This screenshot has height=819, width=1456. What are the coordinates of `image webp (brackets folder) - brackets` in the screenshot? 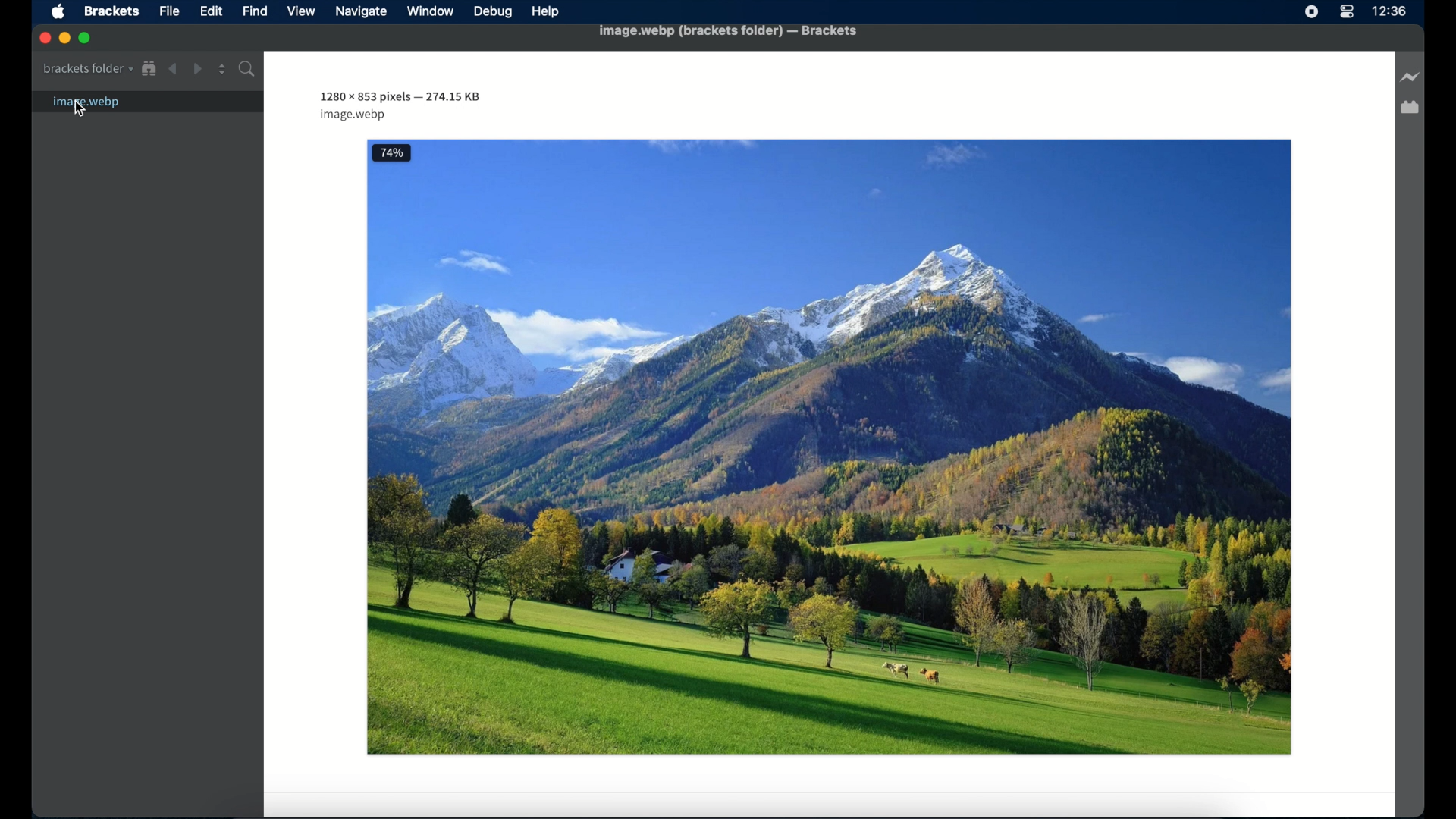 It's located at (733, 35).